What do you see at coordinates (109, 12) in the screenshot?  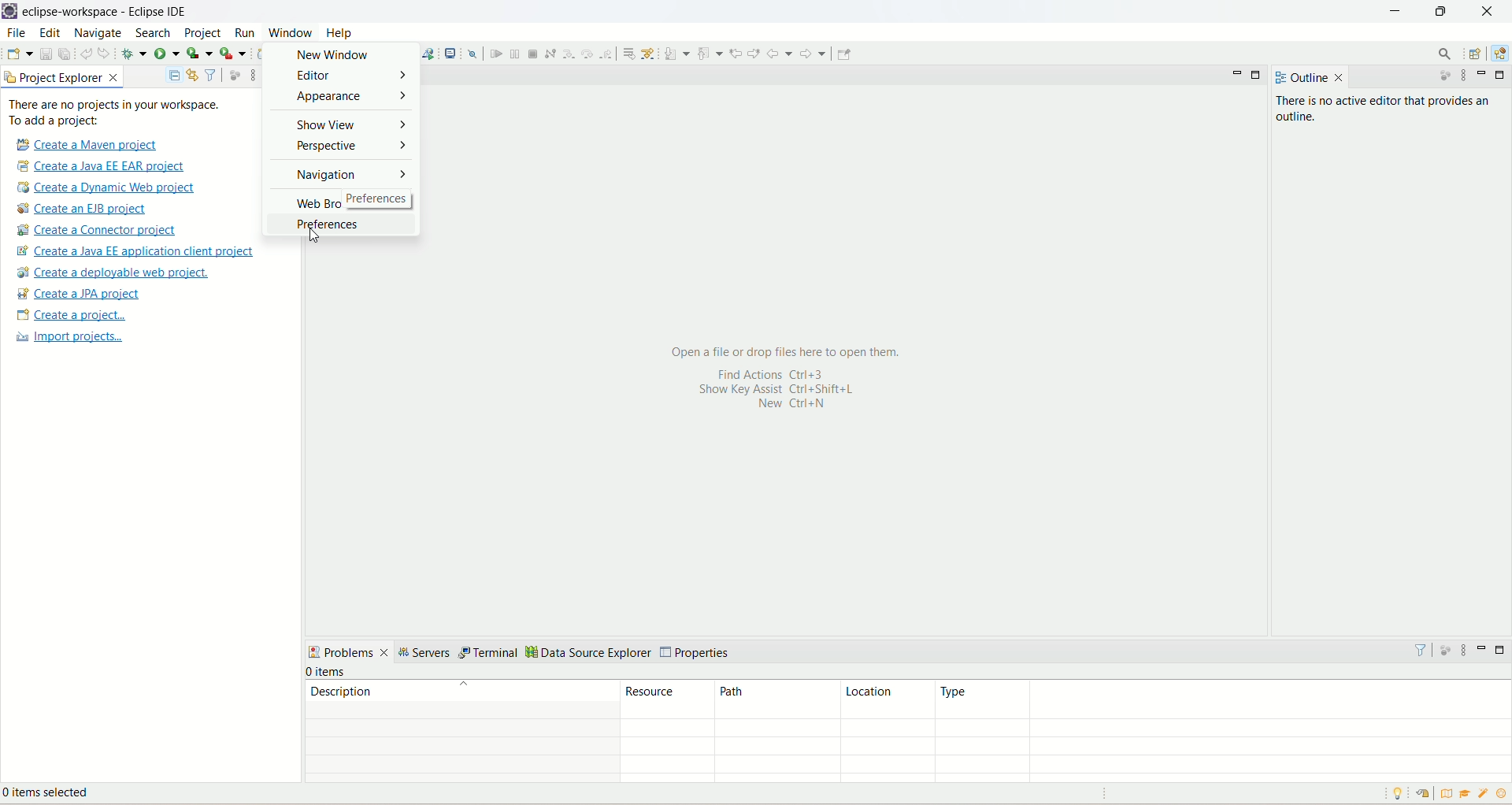 I see `eclipse workspace-Eclipse IDE` at bounding box center [109, 12].